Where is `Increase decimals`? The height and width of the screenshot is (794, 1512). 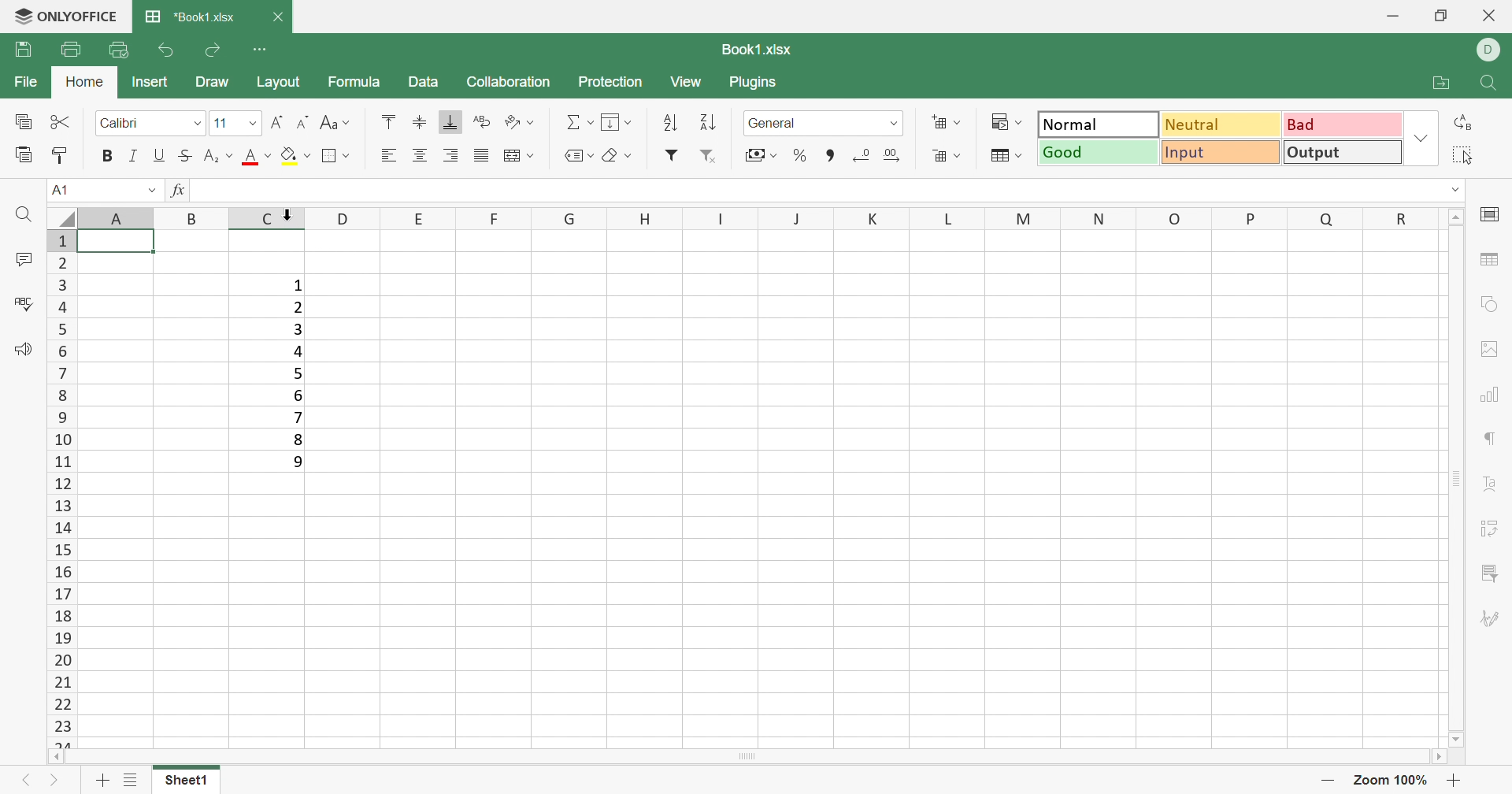 Increase decimals is located at coordinates (892, 155).